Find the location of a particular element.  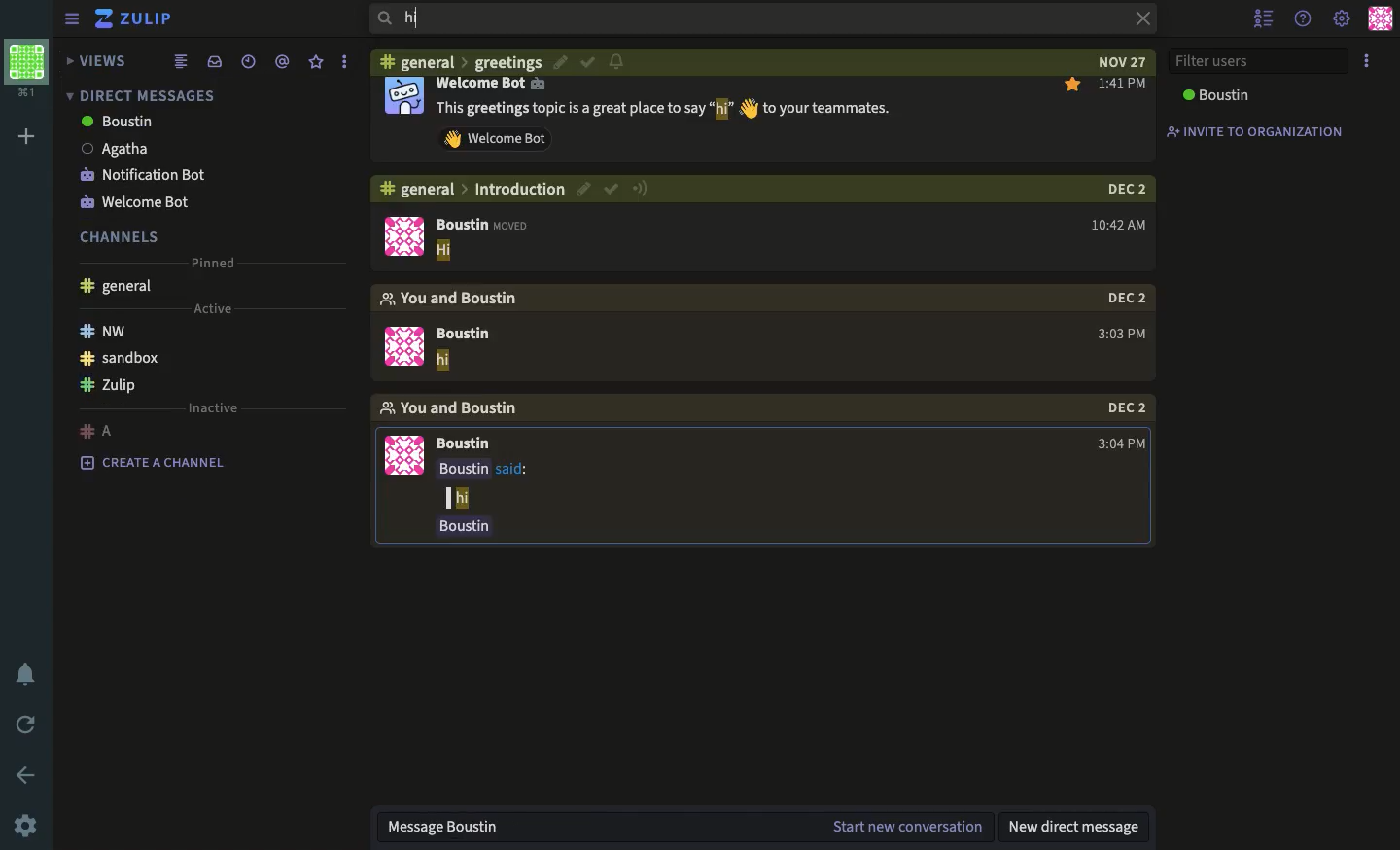

Boustin MOVED is located at coordinates (481, 224).